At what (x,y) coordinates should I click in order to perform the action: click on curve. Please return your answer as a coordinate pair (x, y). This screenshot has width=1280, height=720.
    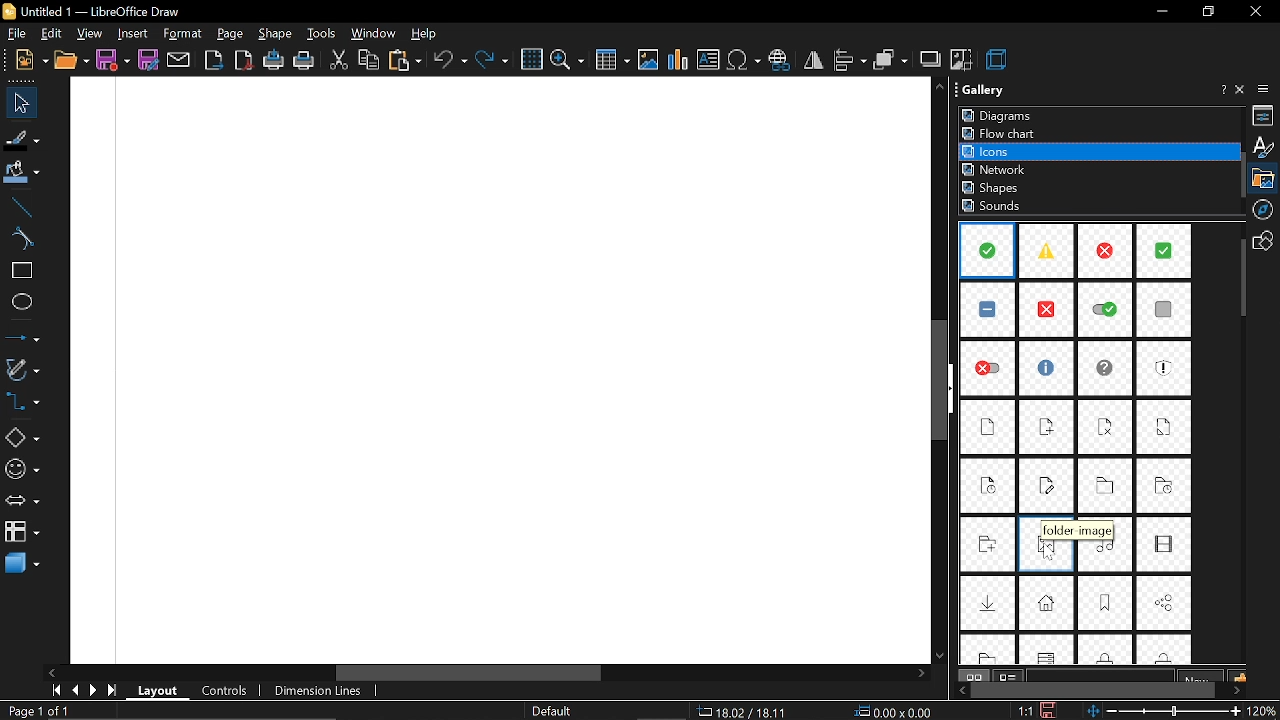
    Looking at the image, I should click on (17, 239).